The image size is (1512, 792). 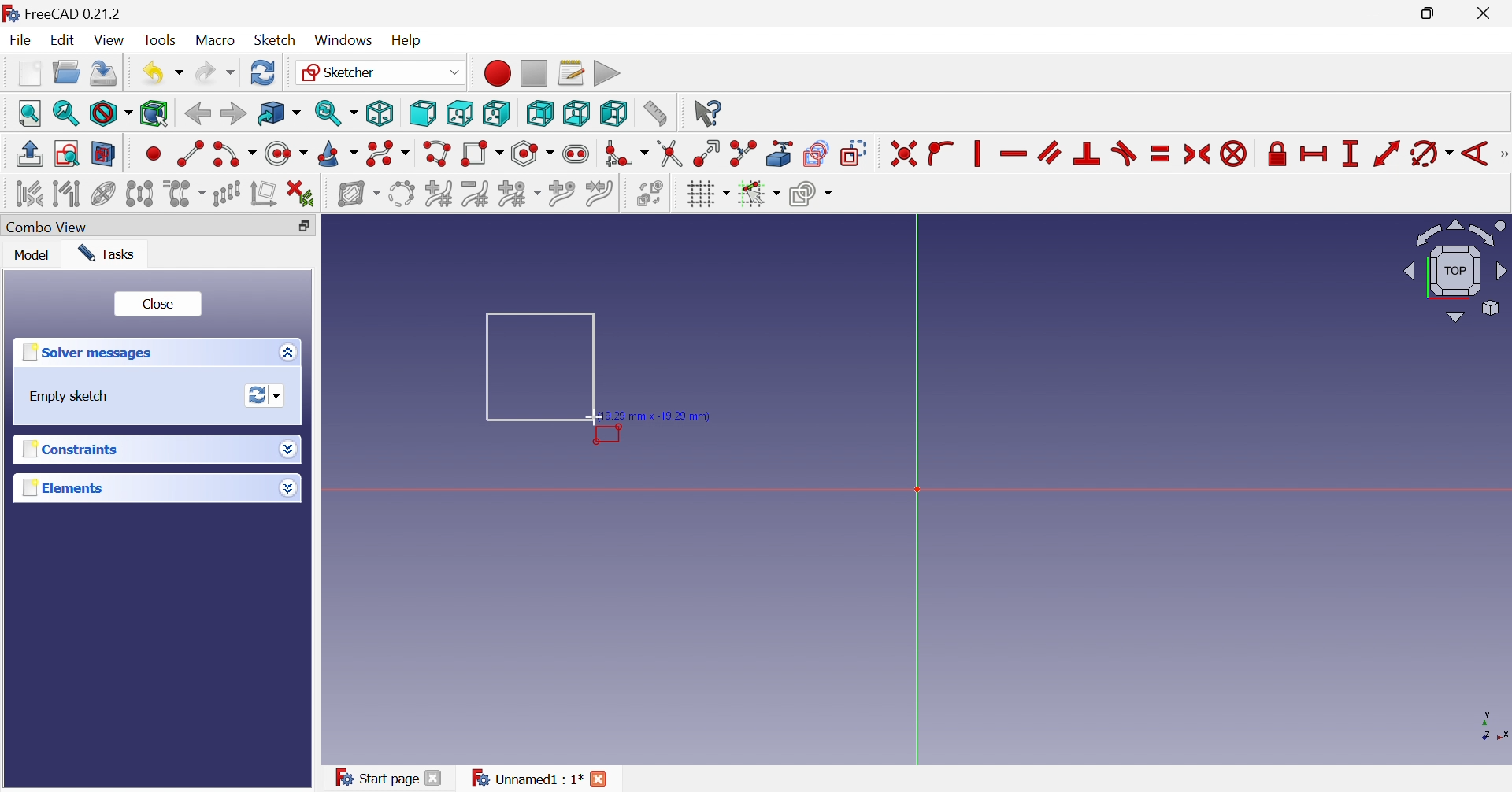 What do you see at coordinates (600, 779) in the screenshot?
I see `Close` at bounding box center [600, 779].